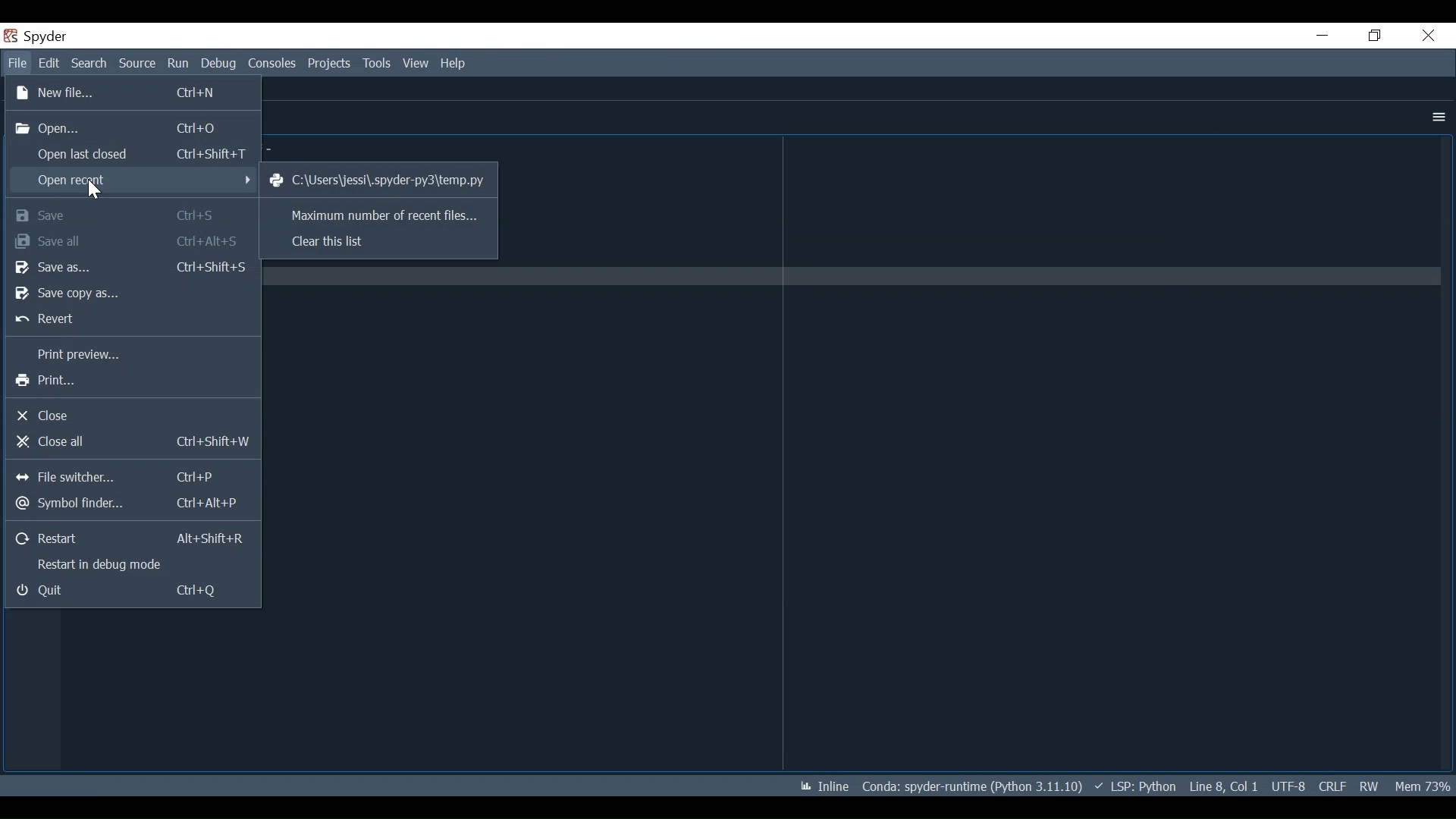  Describe the element at coordinates (1429, 35) in the screenshot. I see `Close` at that location.